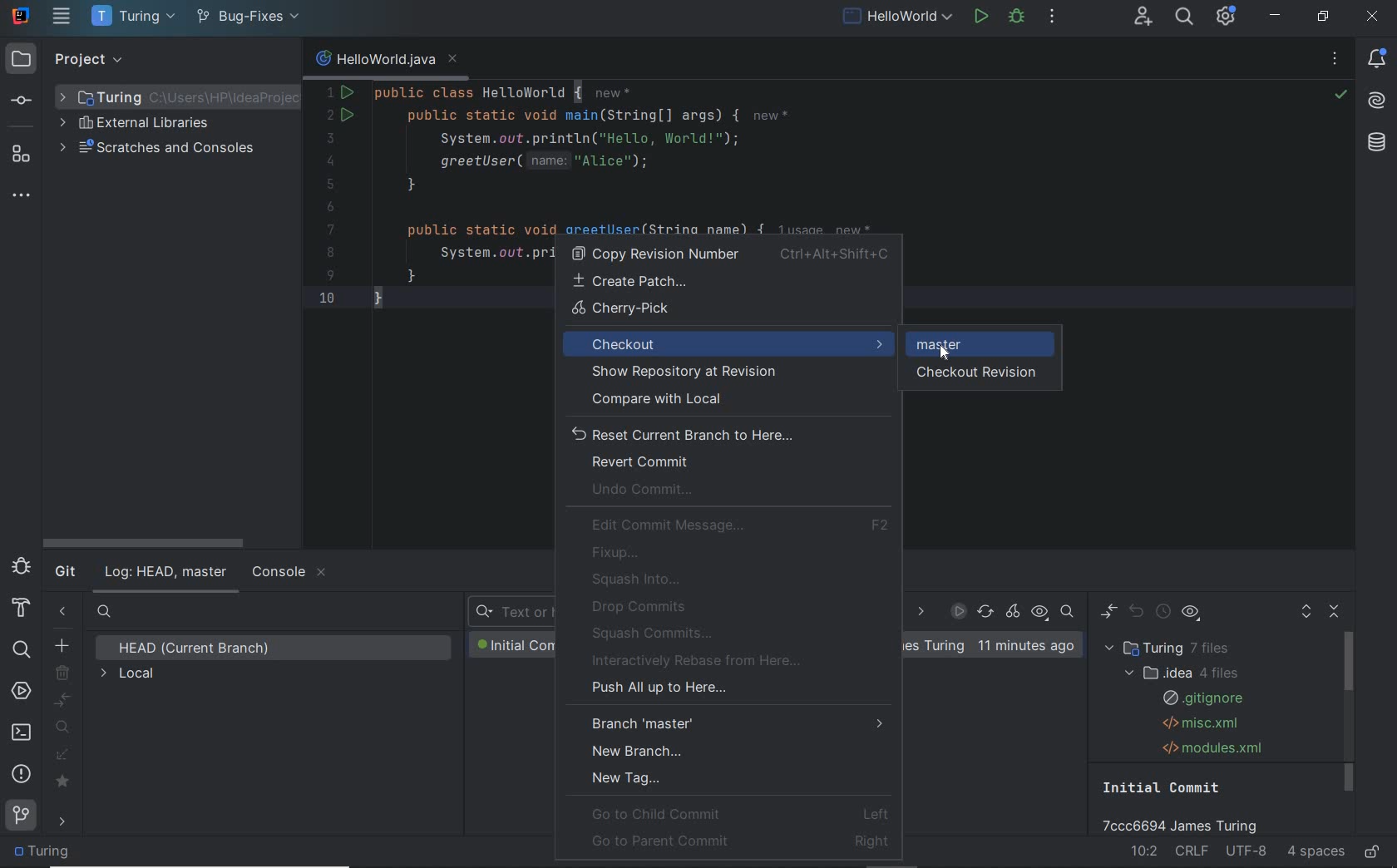 Image resolution: width=1397 pixels, height=868 pixels. What do you see at coordinates (655, 633) in the screenshot?
I see `squash commits` at bounding box center [655, 633].